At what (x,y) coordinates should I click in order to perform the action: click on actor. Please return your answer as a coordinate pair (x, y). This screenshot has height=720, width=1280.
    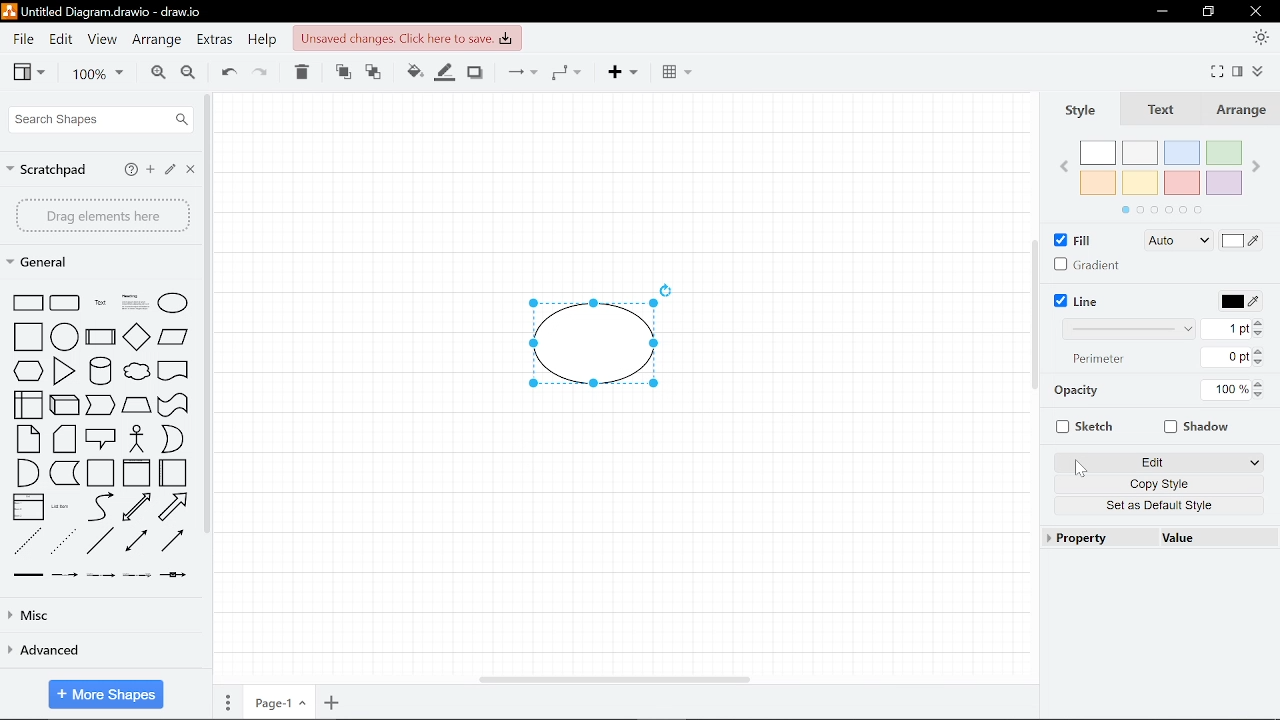
    Looking at the image, I should click on (137, 439).